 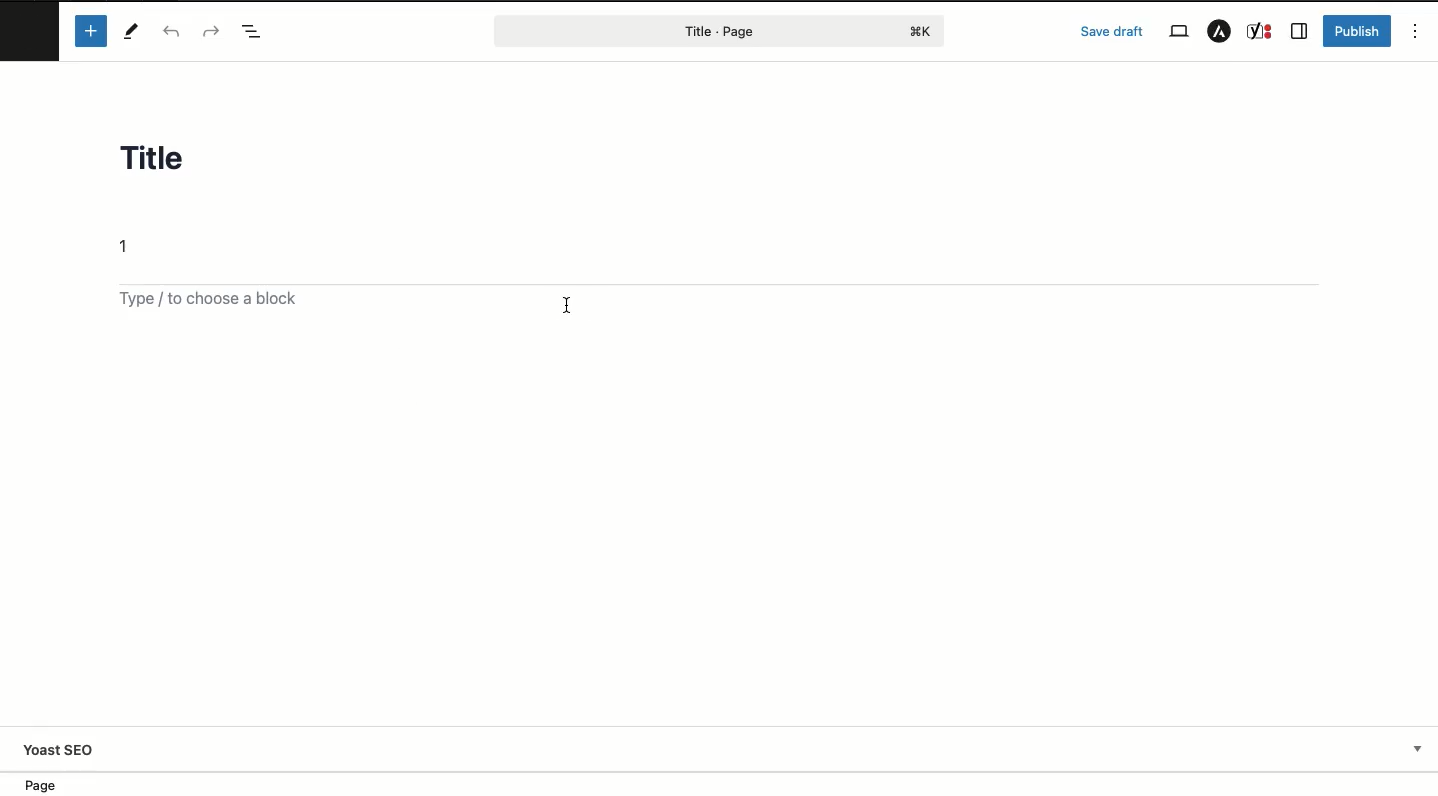 What do you see at coordinates (1261, 32) in the screenshot?
I see `Yoast` at bounding box center [1261, 32].